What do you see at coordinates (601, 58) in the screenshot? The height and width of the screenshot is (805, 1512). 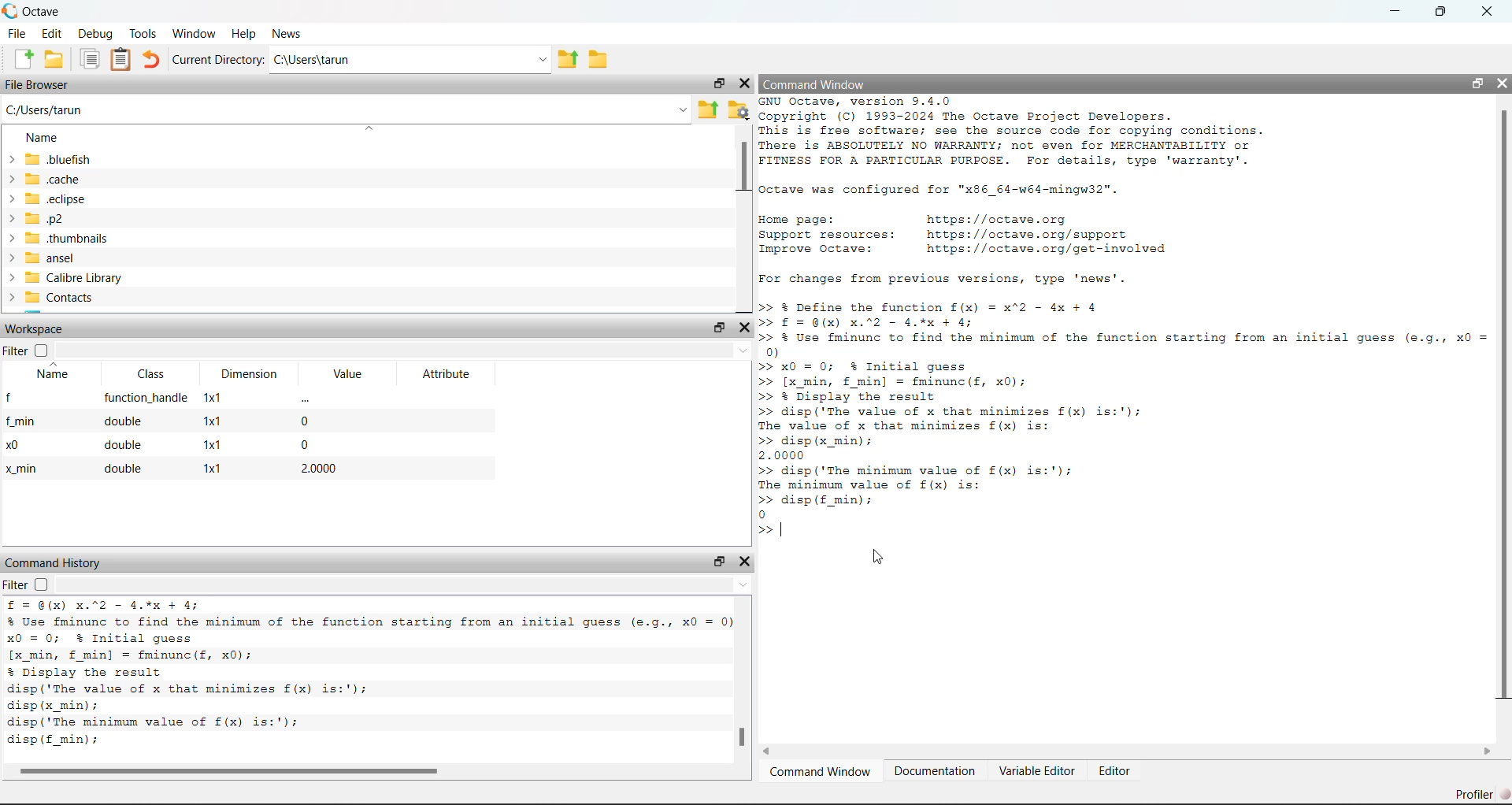 I see `Browse directories` at bounding box center [601, 58].